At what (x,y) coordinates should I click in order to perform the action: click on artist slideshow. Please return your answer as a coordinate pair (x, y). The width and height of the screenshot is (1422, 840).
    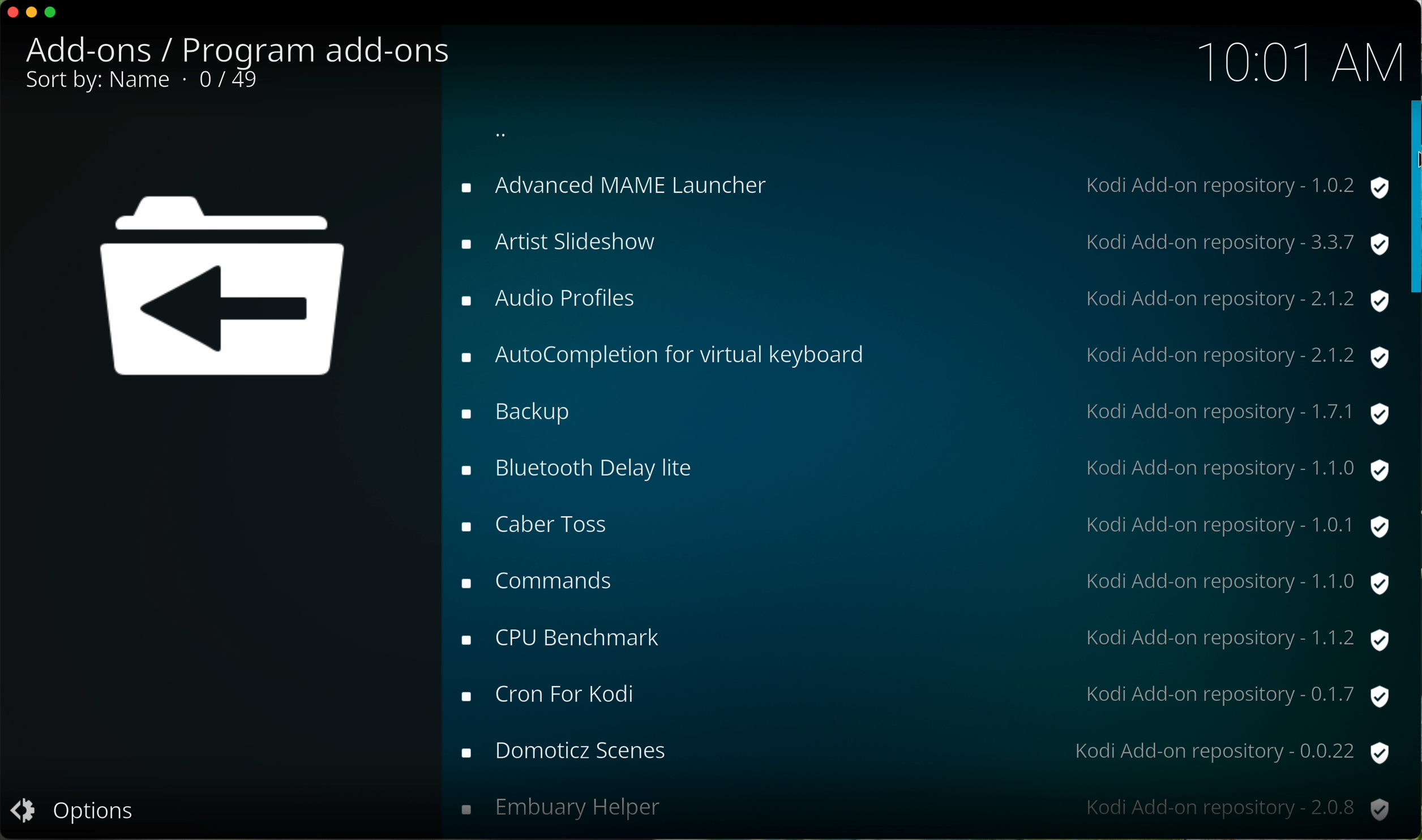
    Looking at the image, I should click on (922, 244).